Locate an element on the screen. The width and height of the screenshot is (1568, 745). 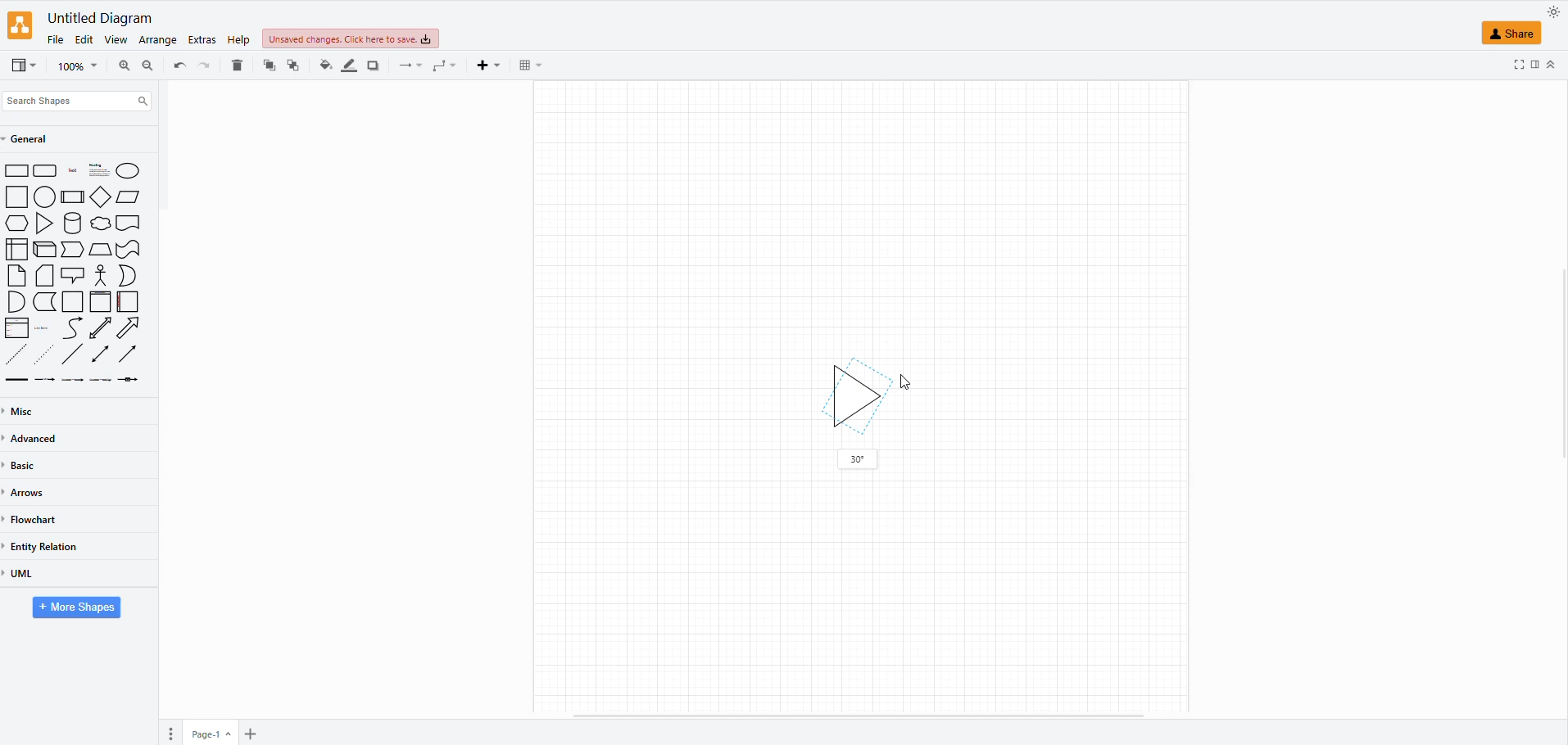
Arrow is located at coordinates (128, 353).